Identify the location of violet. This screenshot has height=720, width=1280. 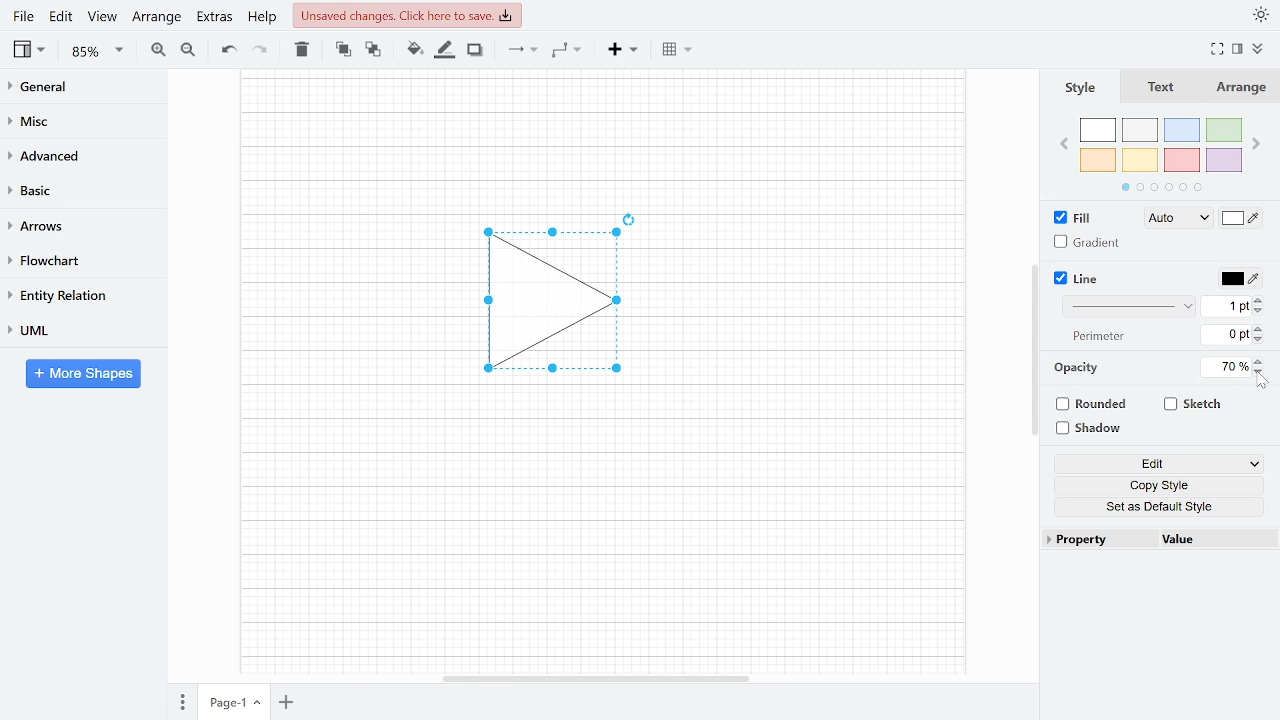
(1223, 160).